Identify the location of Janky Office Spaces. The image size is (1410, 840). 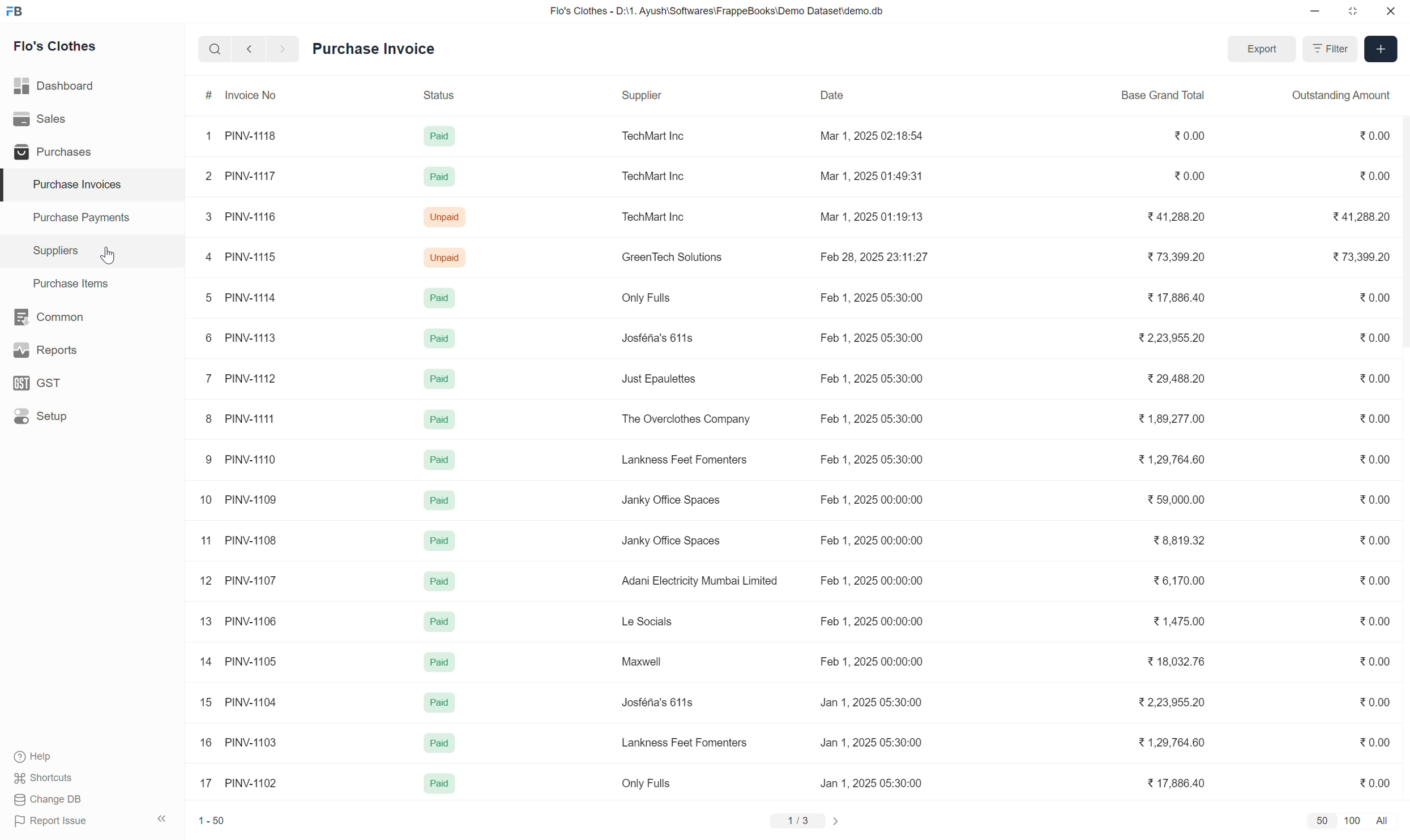
(671, 541).